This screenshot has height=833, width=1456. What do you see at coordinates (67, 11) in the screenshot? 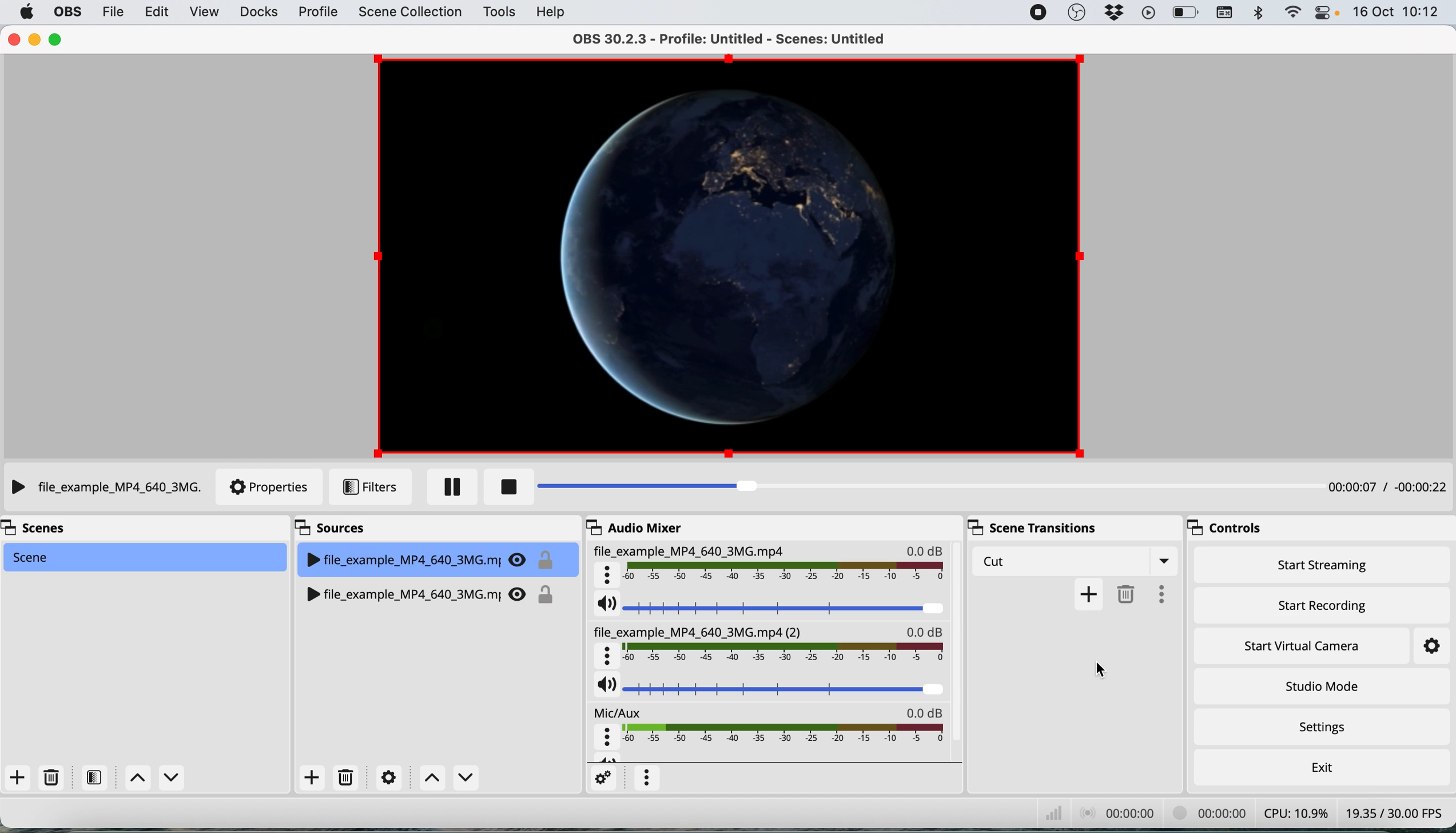
I see `obs` at bounding box center [67, 11].